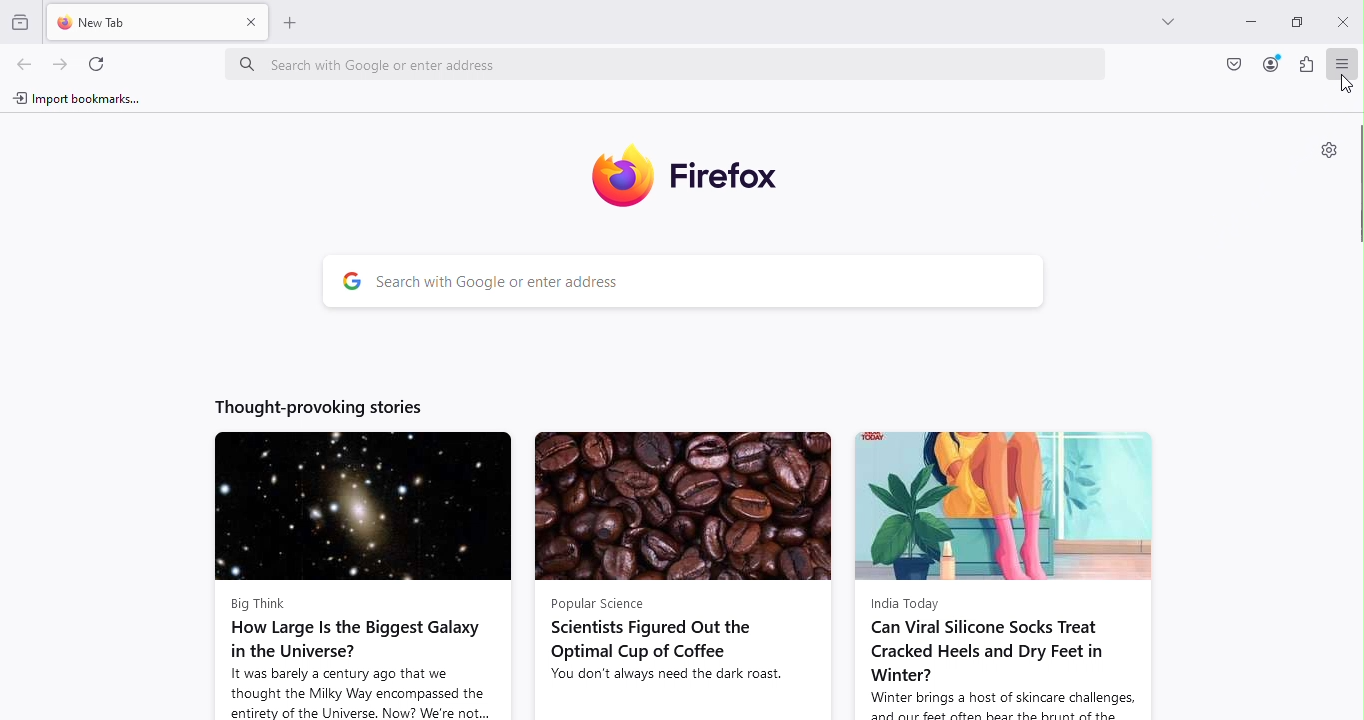  Describe the element at coordinates (22, 65) in the screenshot. I see `Go back one page` at that location.